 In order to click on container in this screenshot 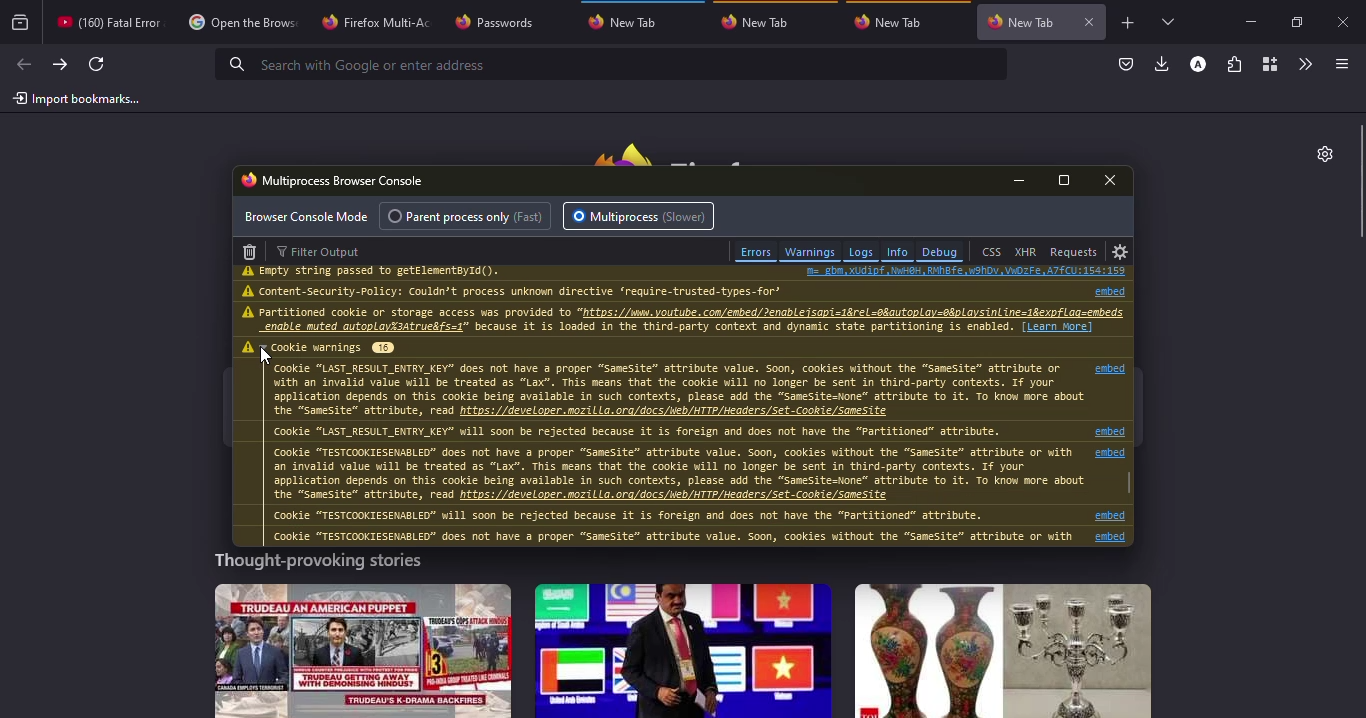, I will do `click(1269, 64)`.